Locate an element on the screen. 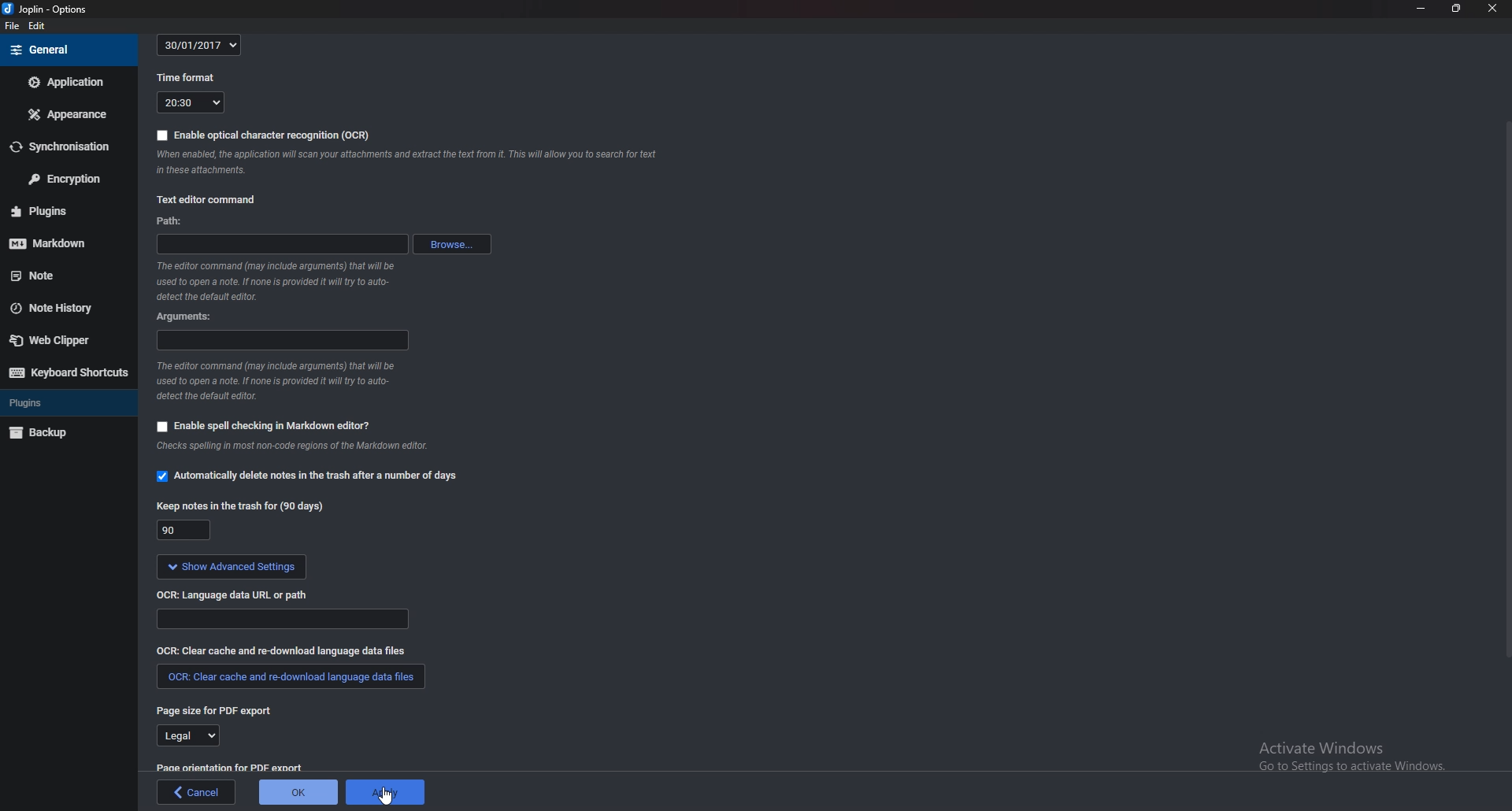  File is located at coordinates (13, 26).